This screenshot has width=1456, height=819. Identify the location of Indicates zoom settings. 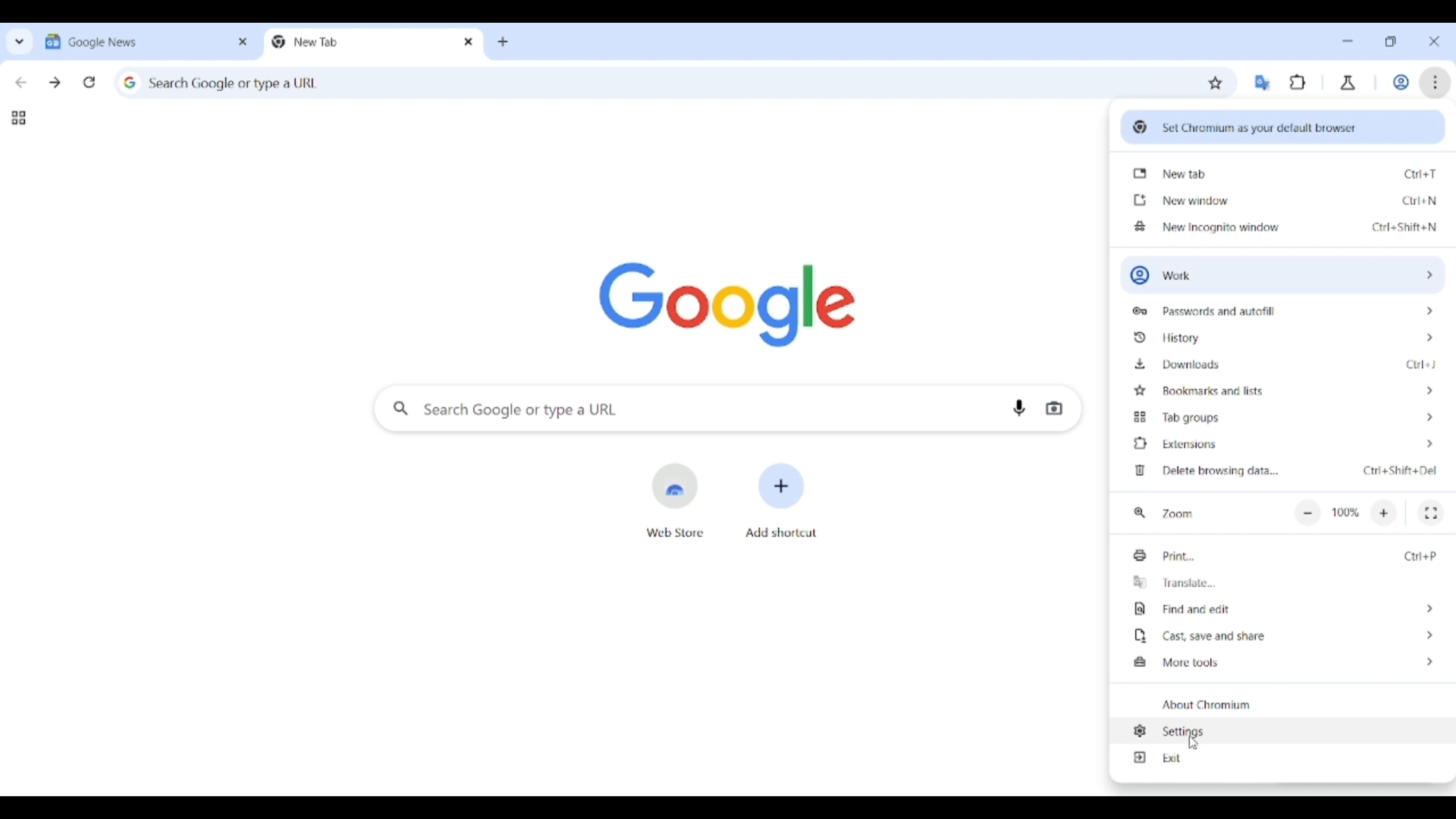
(1140, 513).